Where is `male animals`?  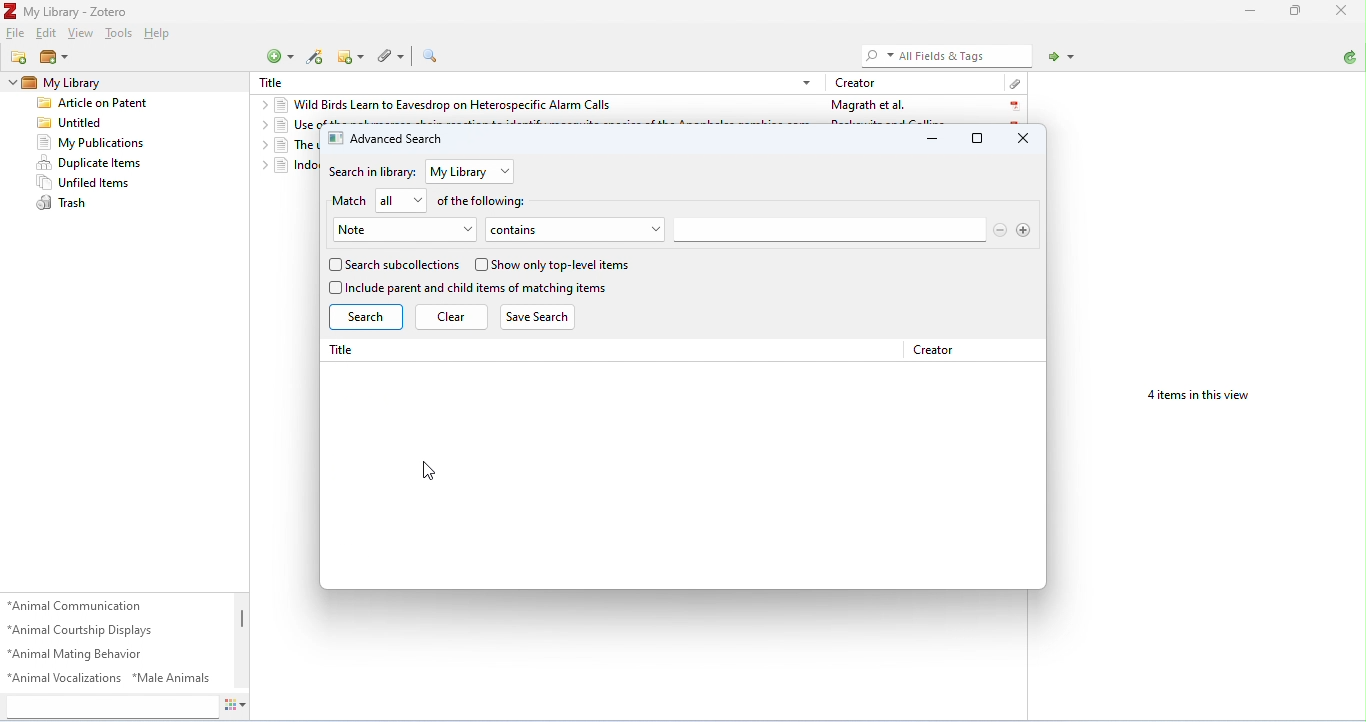 male animals is located at coordinates (171, 677).